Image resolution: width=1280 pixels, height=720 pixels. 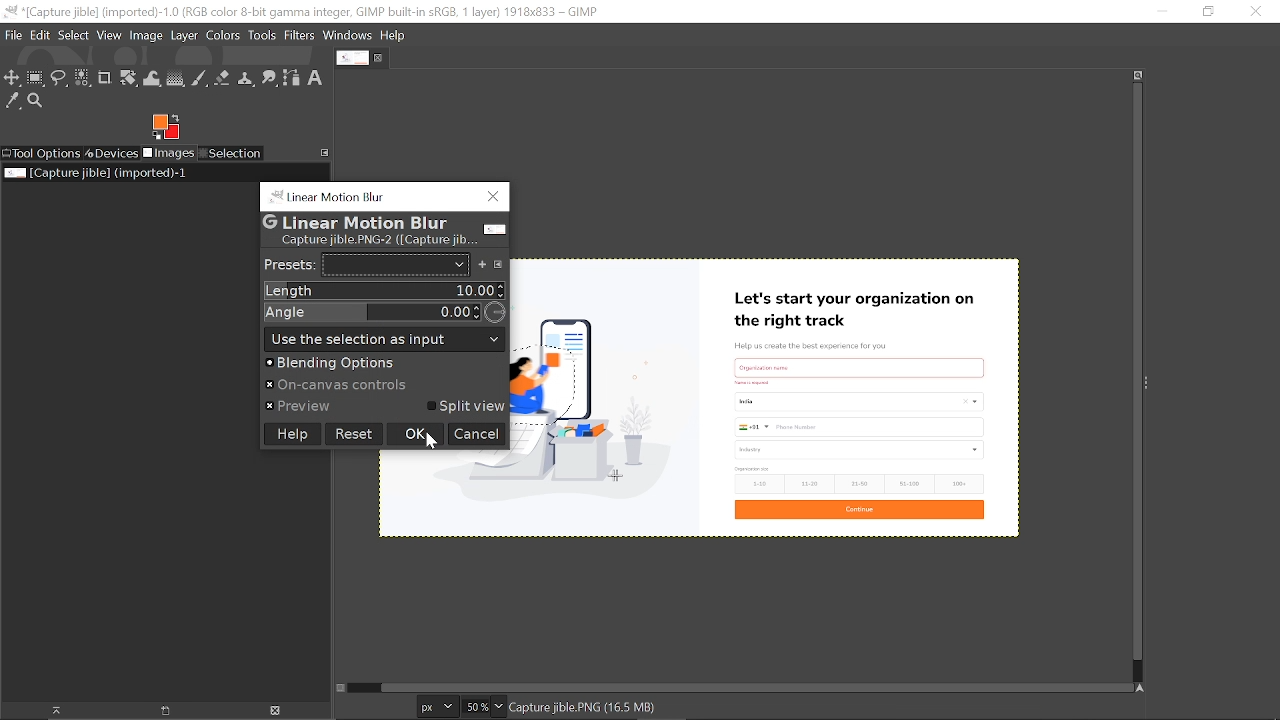 I want to click on Zoom options, so click(x=499, y=706).